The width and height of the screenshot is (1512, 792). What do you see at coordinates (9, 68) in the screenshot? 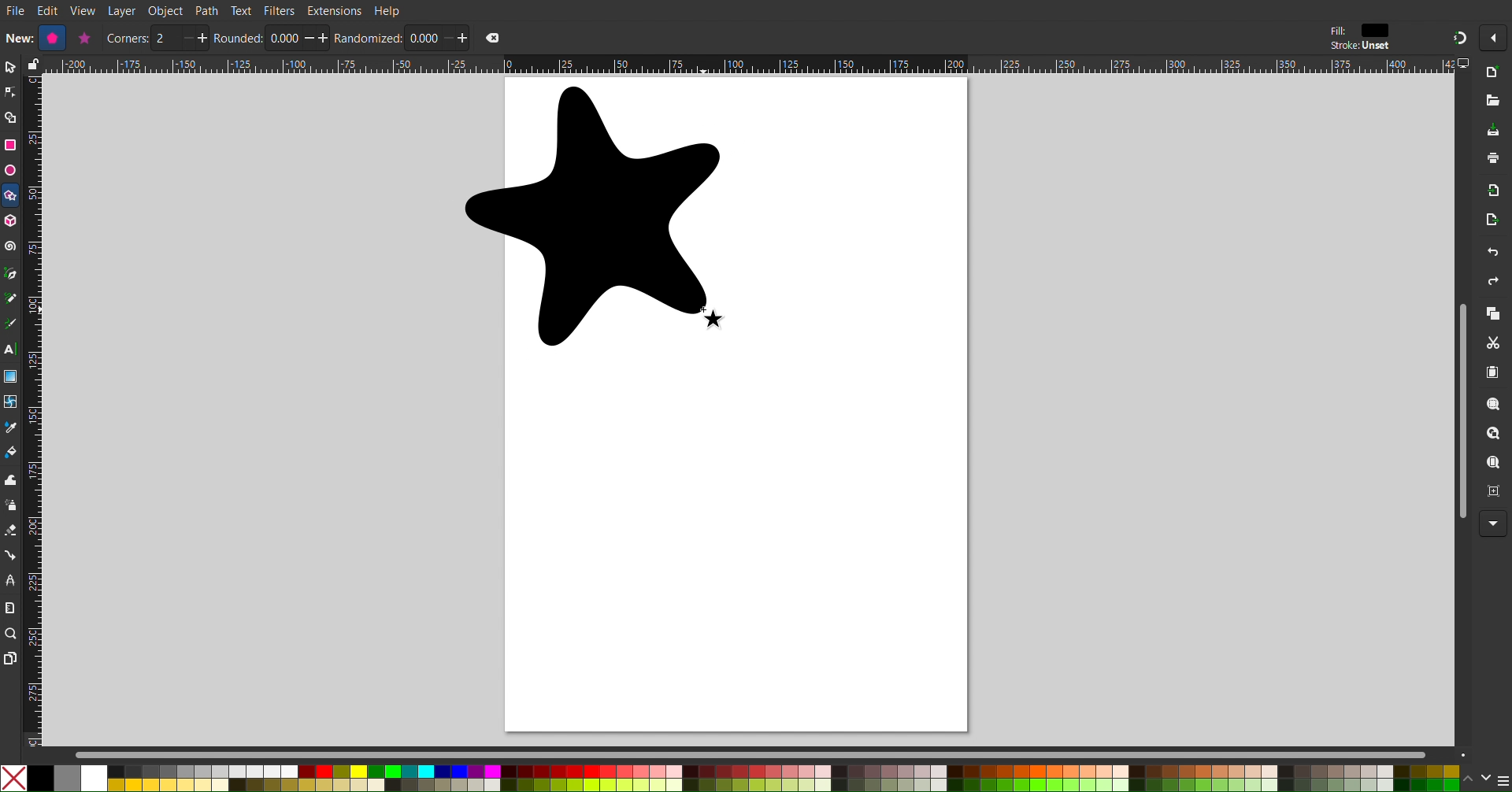
I see `Select` at bounding box center [9, 68].